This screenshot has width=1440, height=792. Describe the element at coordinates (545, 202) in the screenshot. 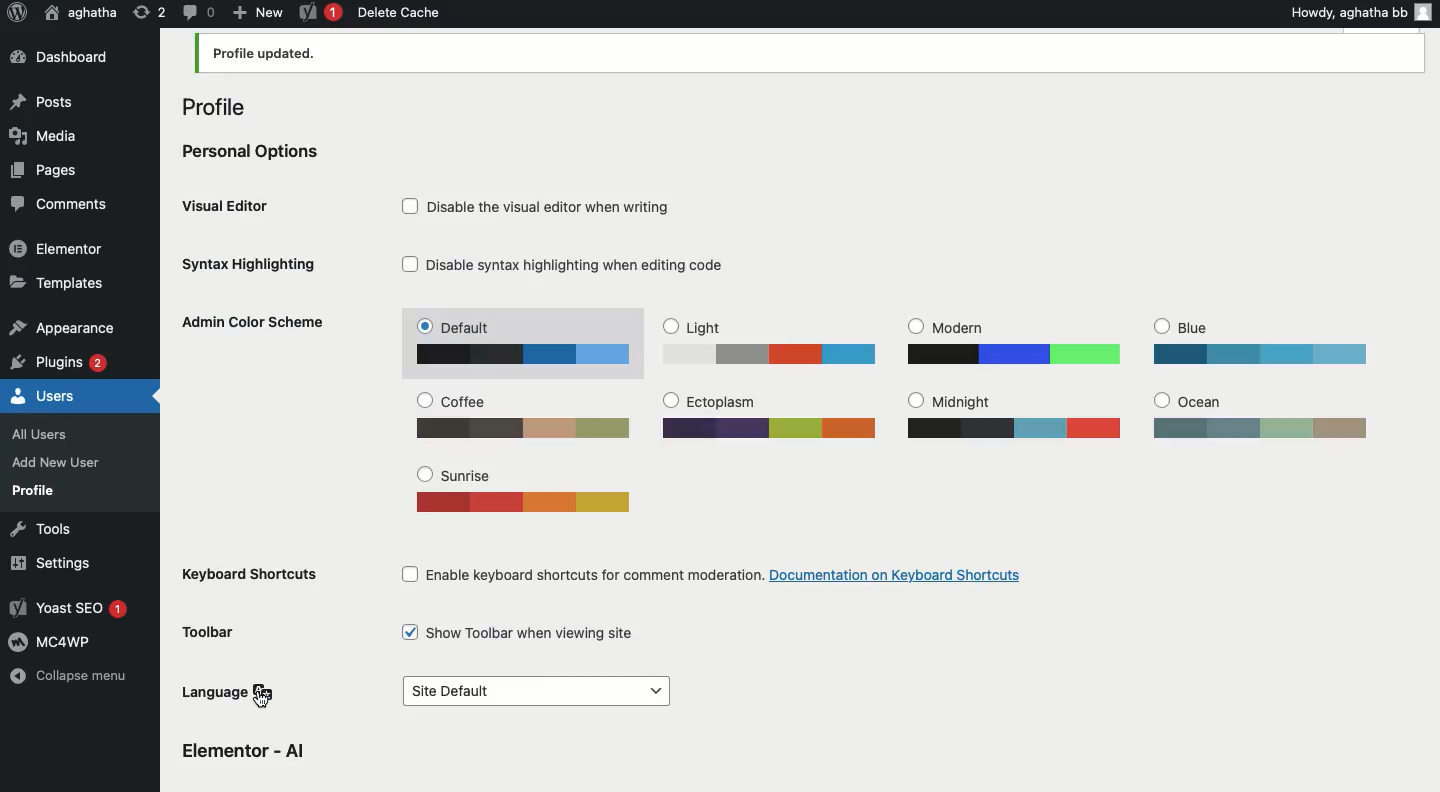

I see `Disable` at that location.